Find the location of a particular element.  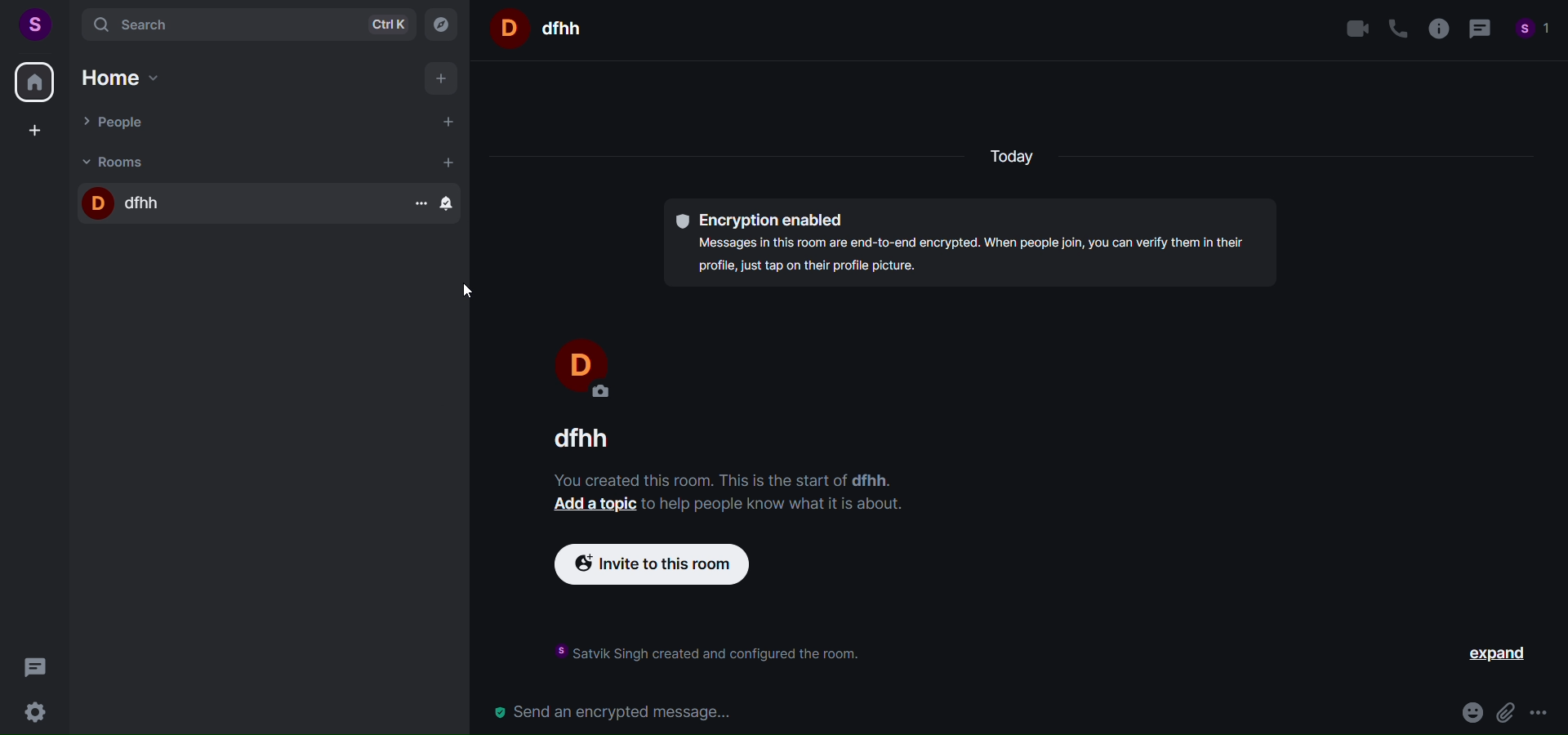

explore room is located at coordinates (442, 24).